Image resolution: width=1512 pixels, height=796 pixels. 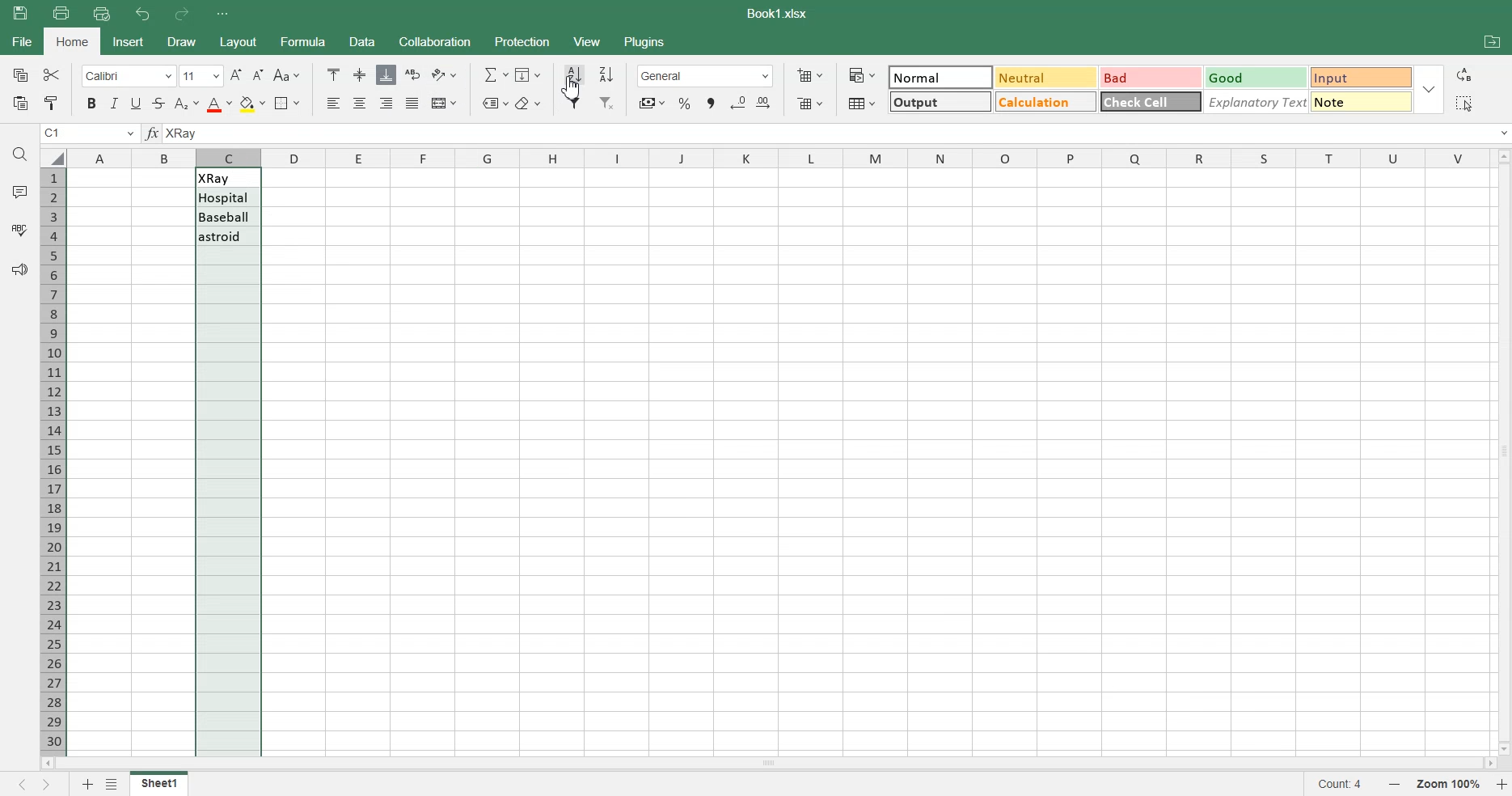 What do you see at coordinates (1433, 89) in the screenshot?
I see `show` at bounding box center [1433, 89].